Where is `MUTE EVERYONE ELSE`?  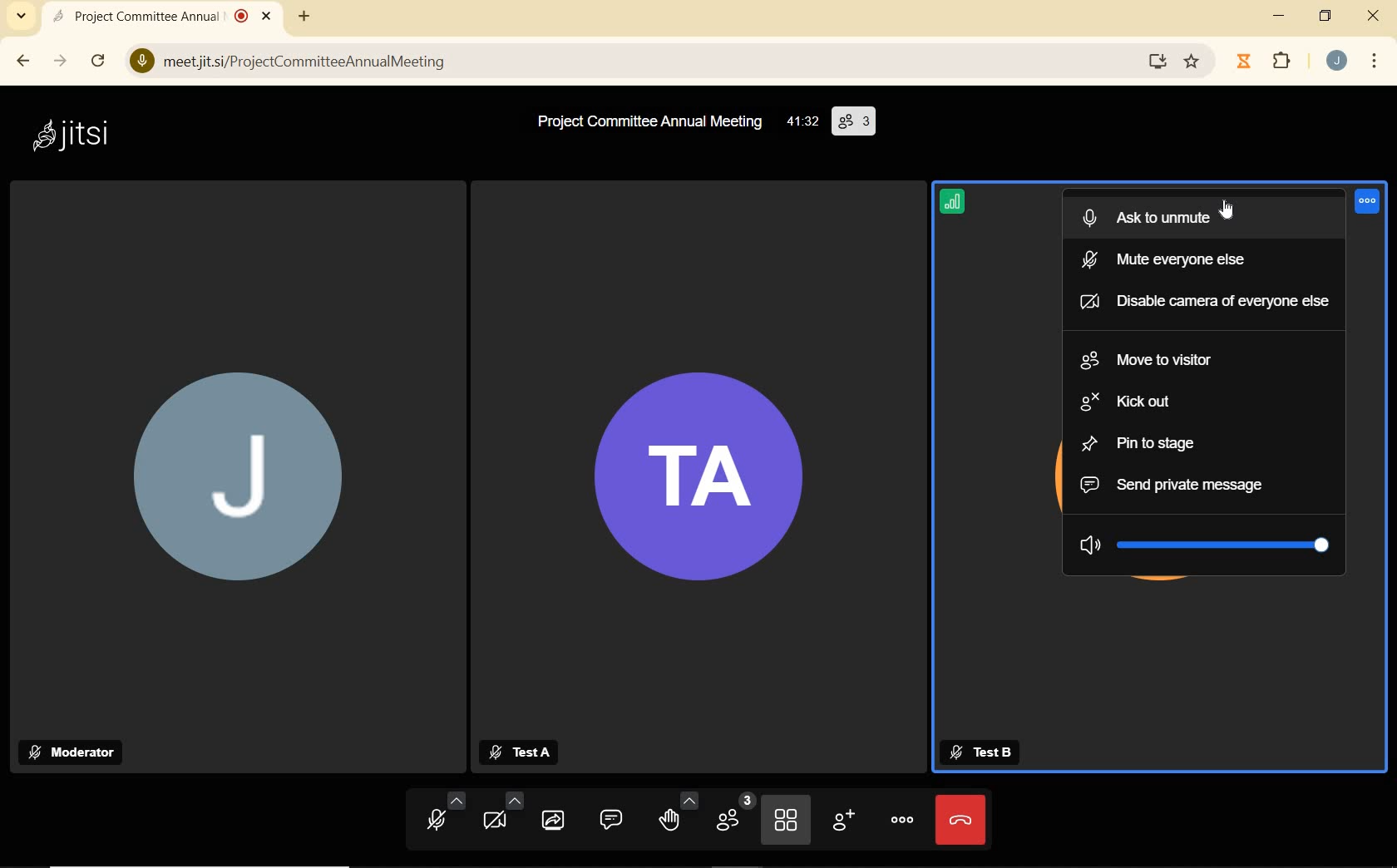
MUTE EVERYONE ELSE is located at coordinates (1201, 259).